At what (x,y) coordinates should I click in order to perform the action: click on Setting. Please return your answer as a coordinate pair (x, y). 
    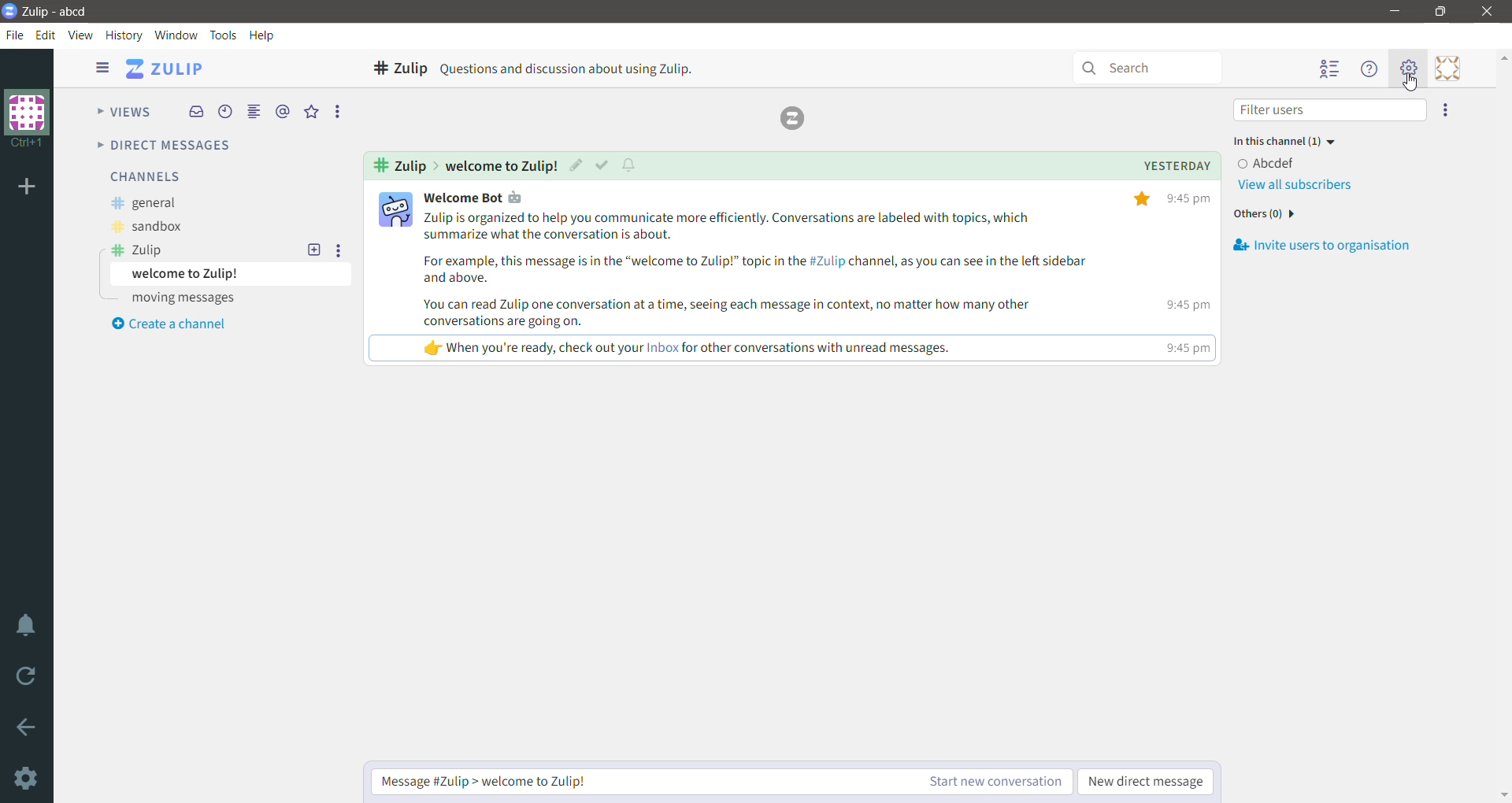
    Looking at the image, I should click on (1406, 68).